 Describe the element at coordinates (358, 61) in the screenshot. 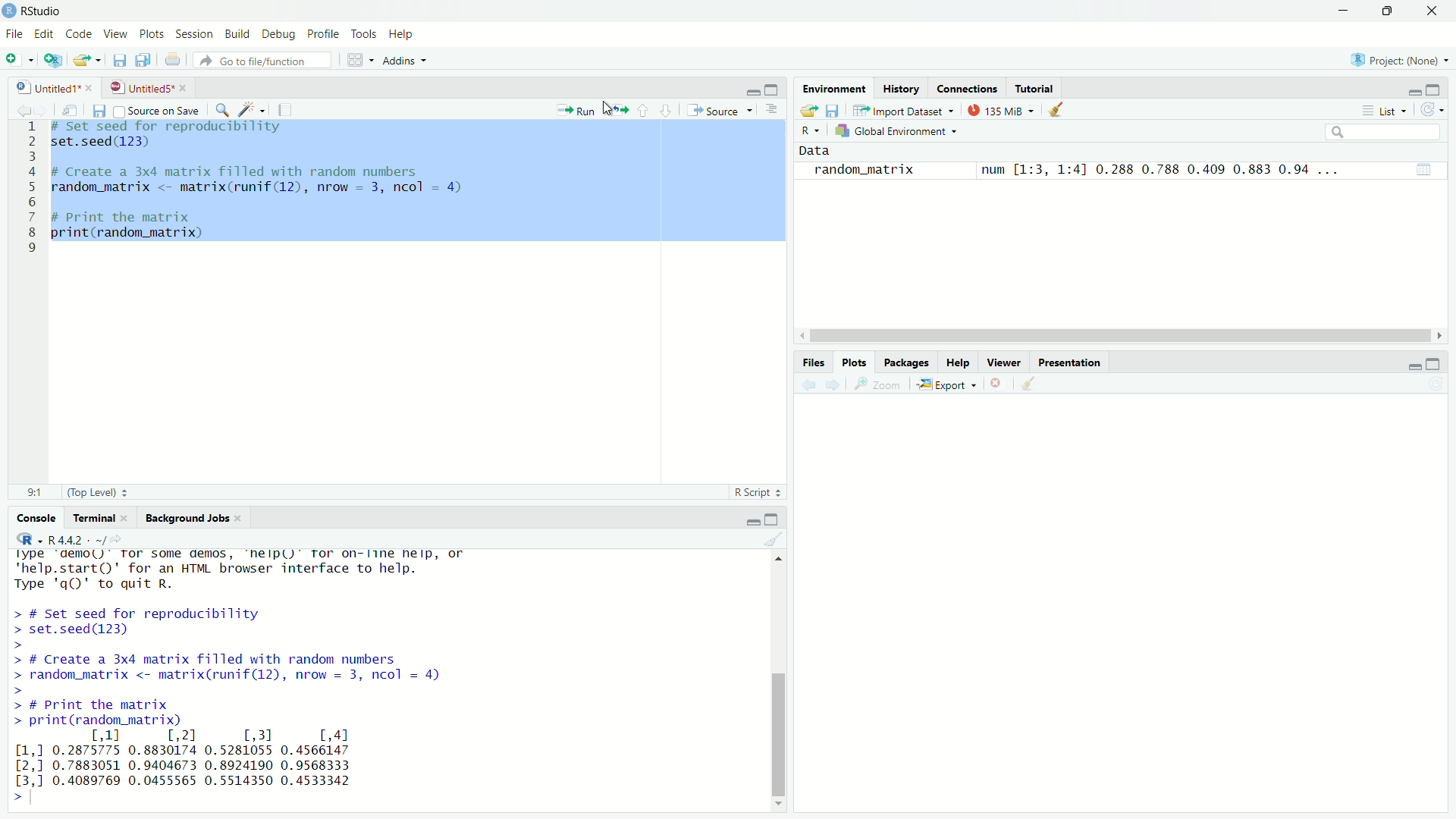

I see `grid` at that location.